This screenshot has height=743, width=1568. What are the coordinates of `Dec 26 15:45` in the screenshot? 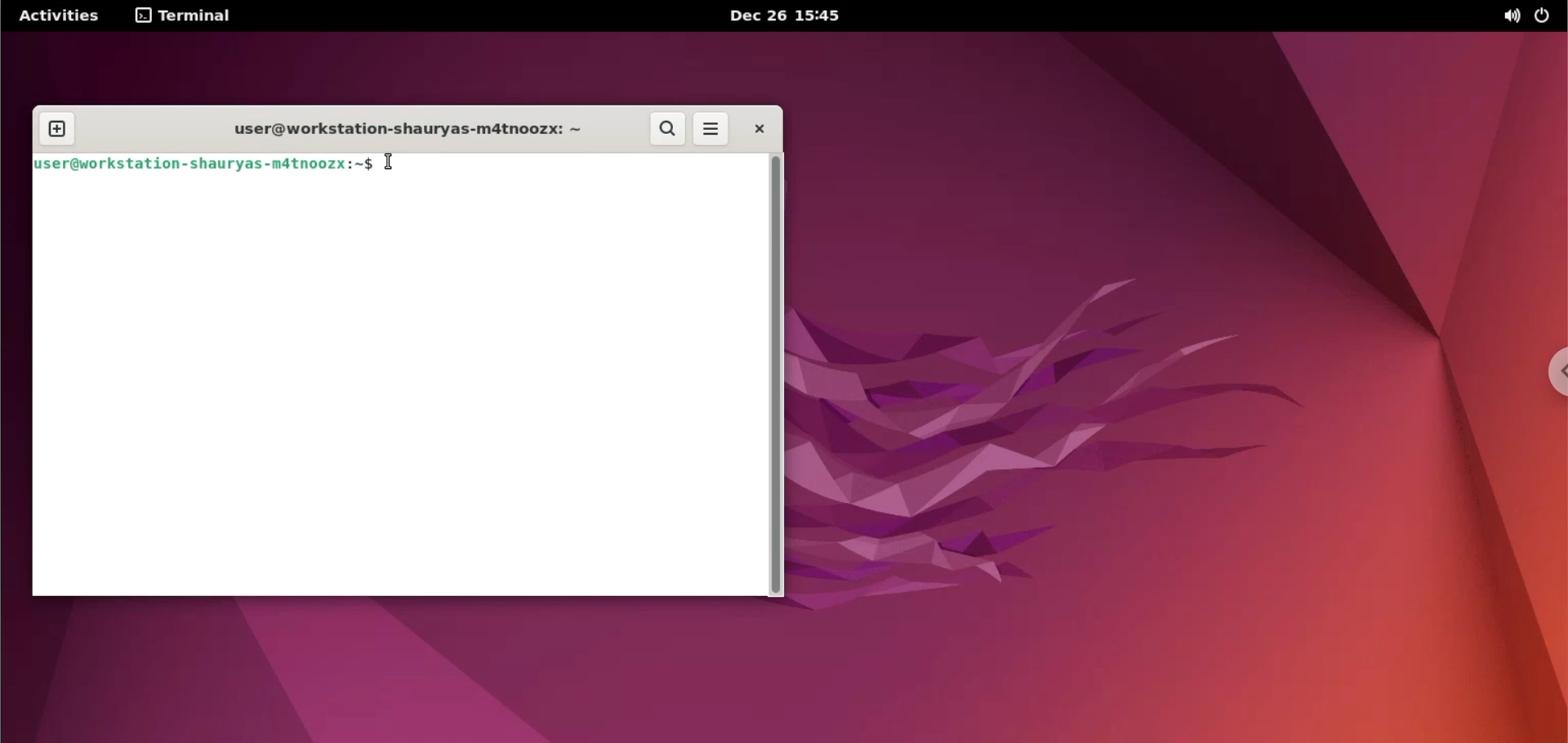 It's located at (782, 17).